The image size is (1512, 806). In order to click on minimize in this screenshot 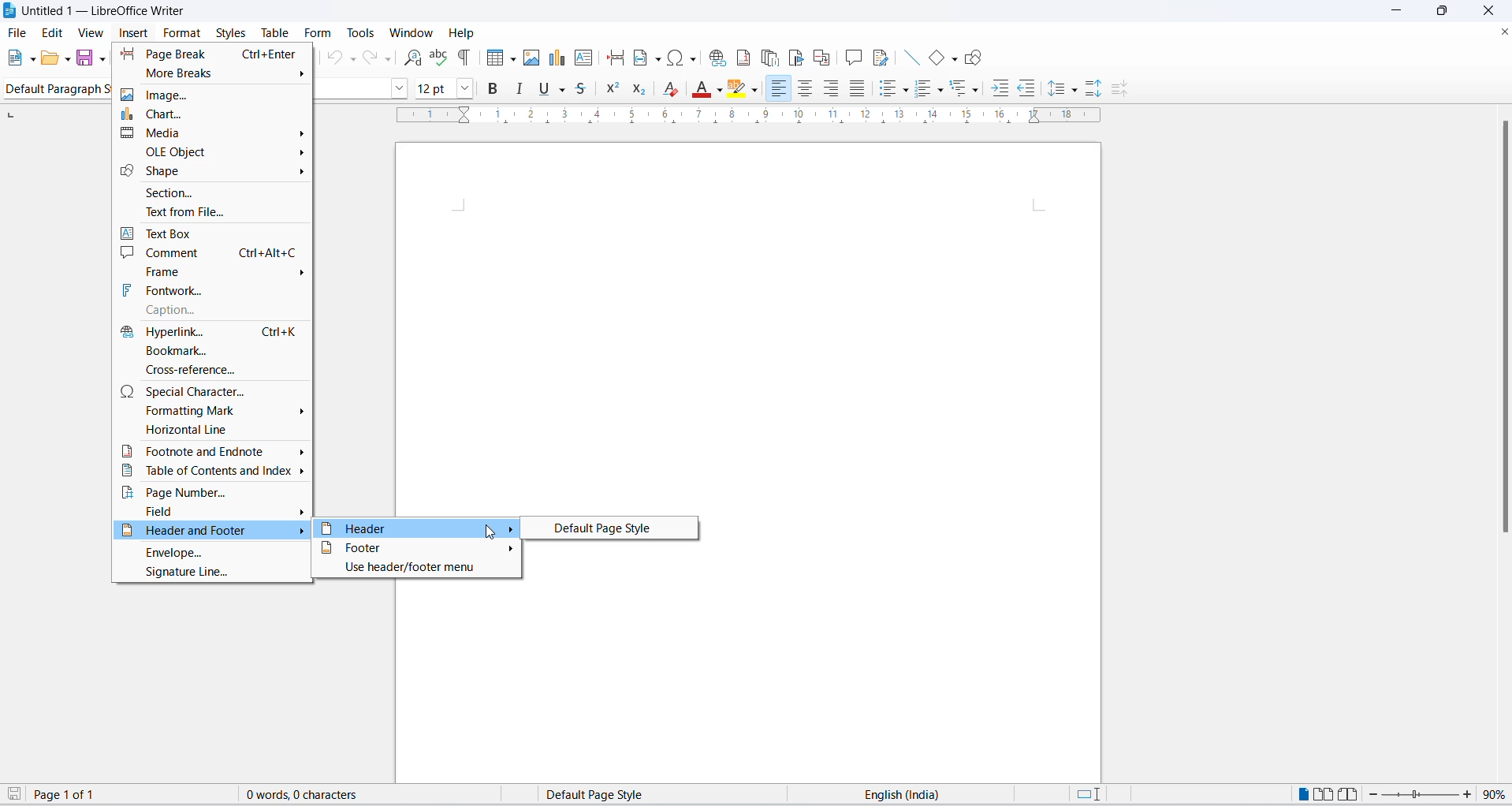, I will do `click(1400, 12)`.